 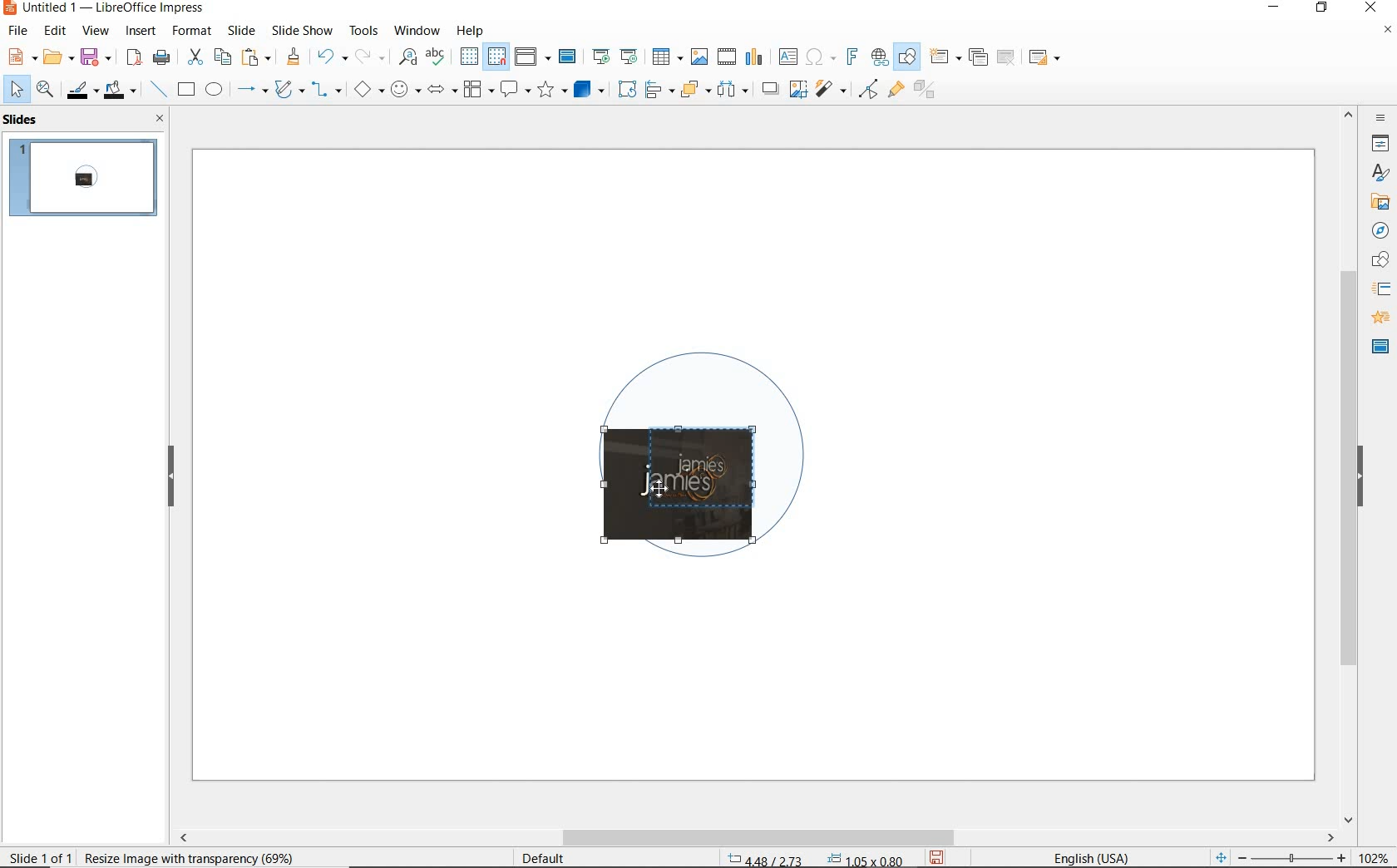 I want to click on insert table, so click(x=665, y=57).